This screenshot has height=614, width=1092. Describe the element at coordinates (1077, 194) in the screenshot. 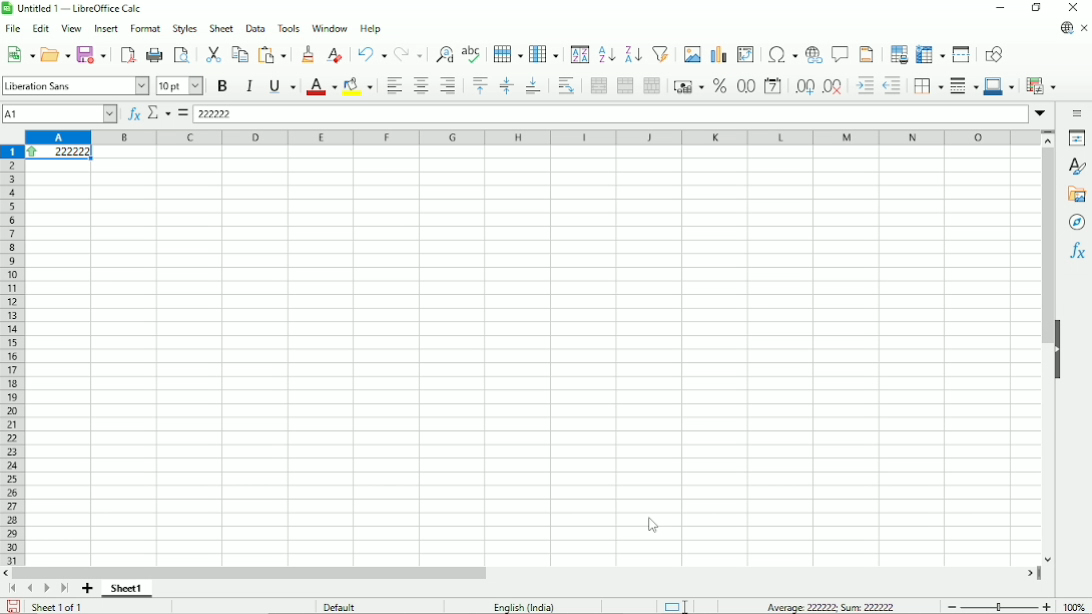

I see `Gallery` at that location.